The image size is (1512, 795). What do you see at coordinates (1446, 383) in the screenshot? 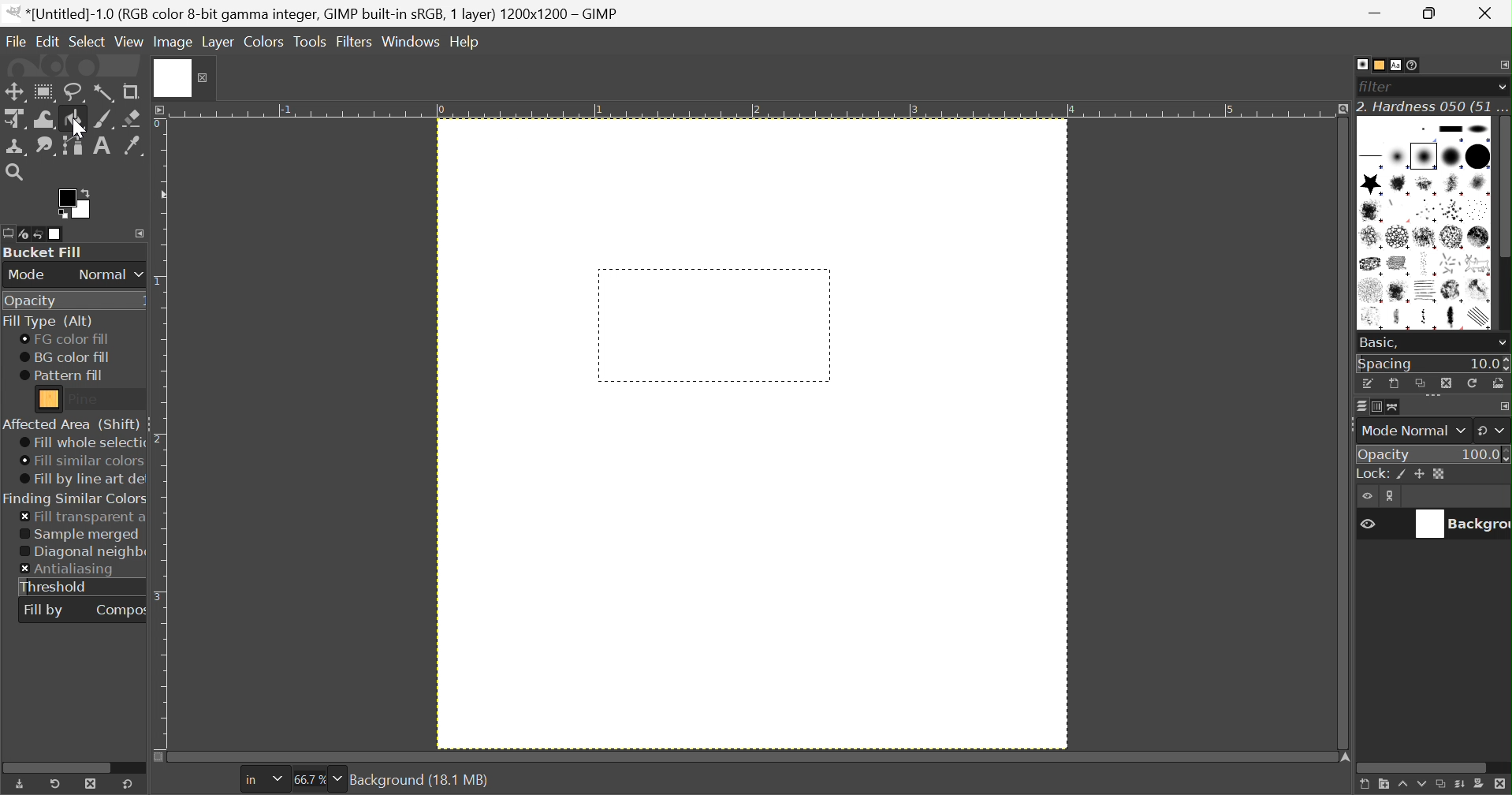
I see `Delete this brush` at bounding box center [1446, 383].